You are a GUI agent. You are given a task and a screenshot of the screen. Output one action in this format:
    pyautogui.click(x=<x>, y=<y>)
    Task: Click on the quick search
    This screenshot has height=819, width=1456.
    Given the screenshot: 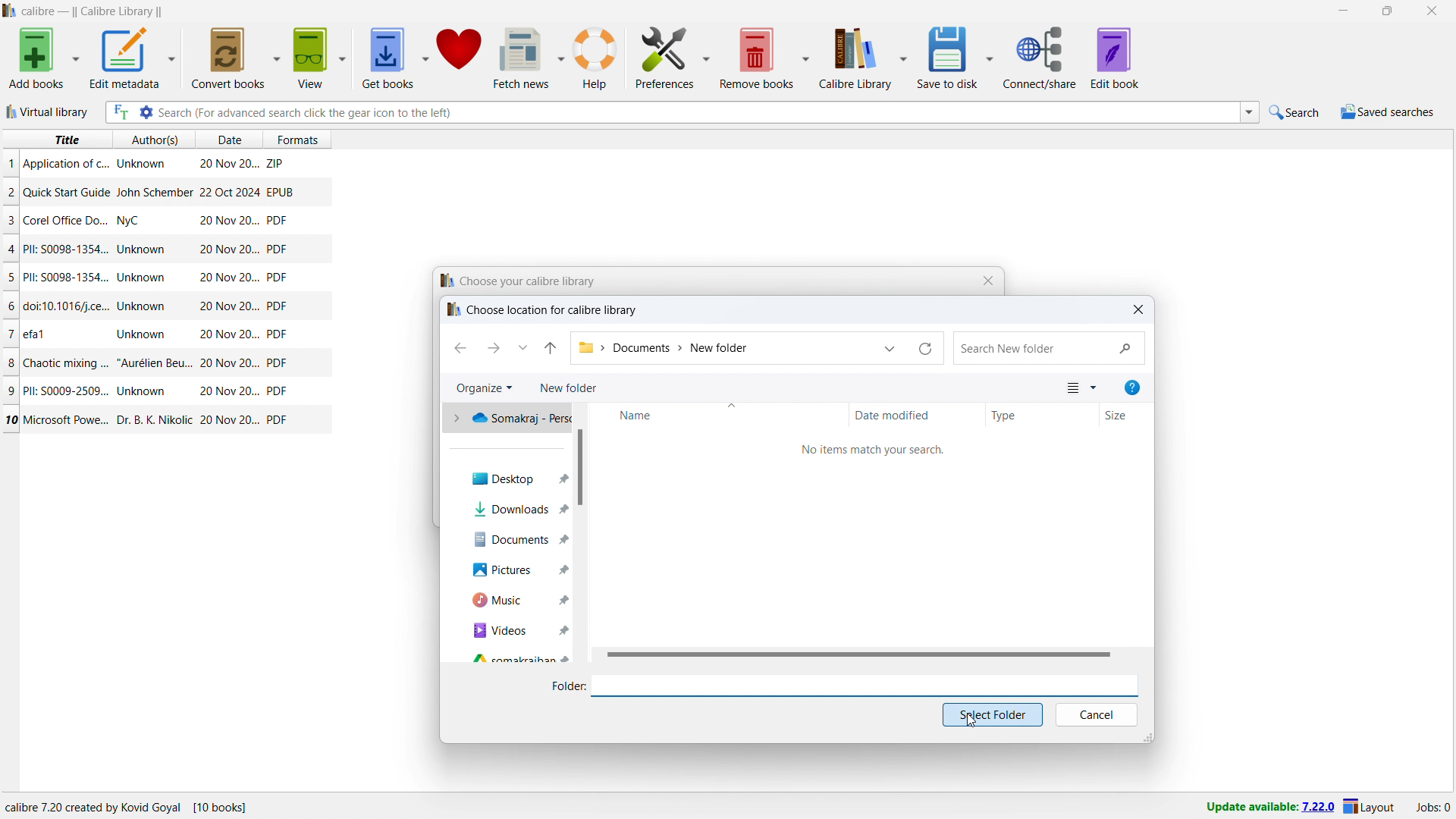 What is the action you would take?
    pyautogui.click(x=1296, y=112)
    